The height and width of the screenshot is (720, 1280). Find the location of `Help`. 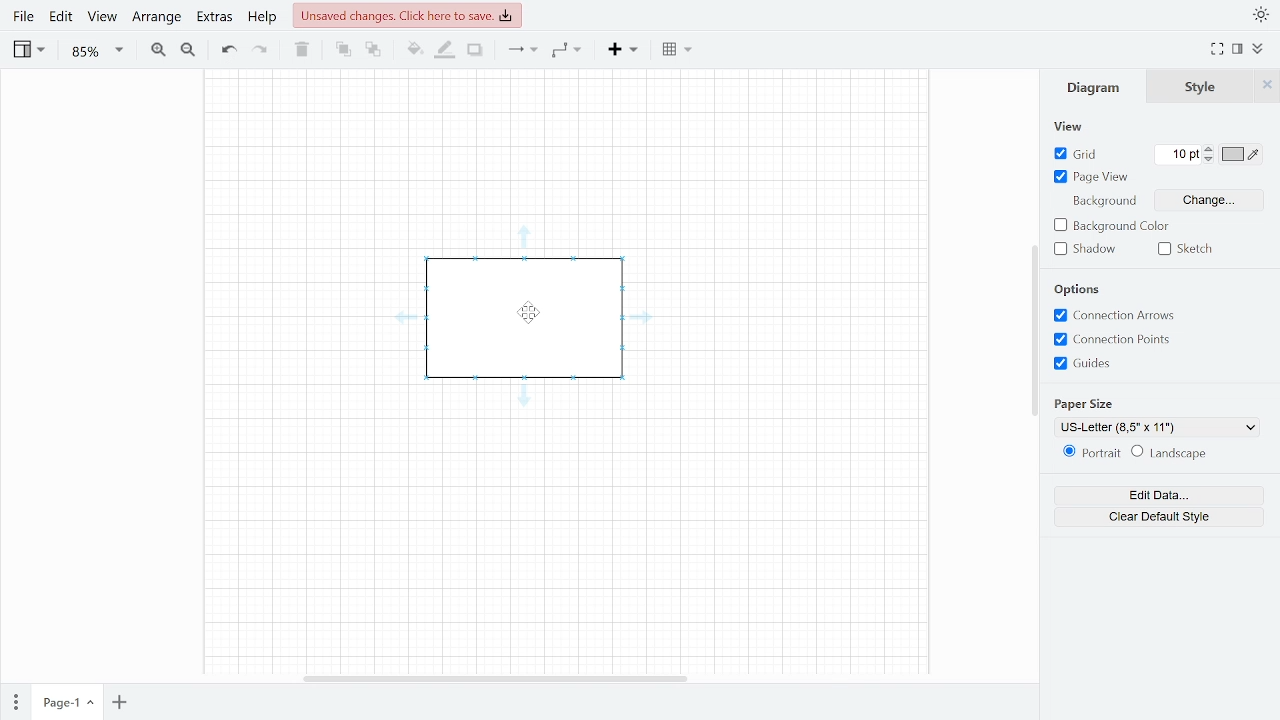

Help is located at coordinates (262, 18).